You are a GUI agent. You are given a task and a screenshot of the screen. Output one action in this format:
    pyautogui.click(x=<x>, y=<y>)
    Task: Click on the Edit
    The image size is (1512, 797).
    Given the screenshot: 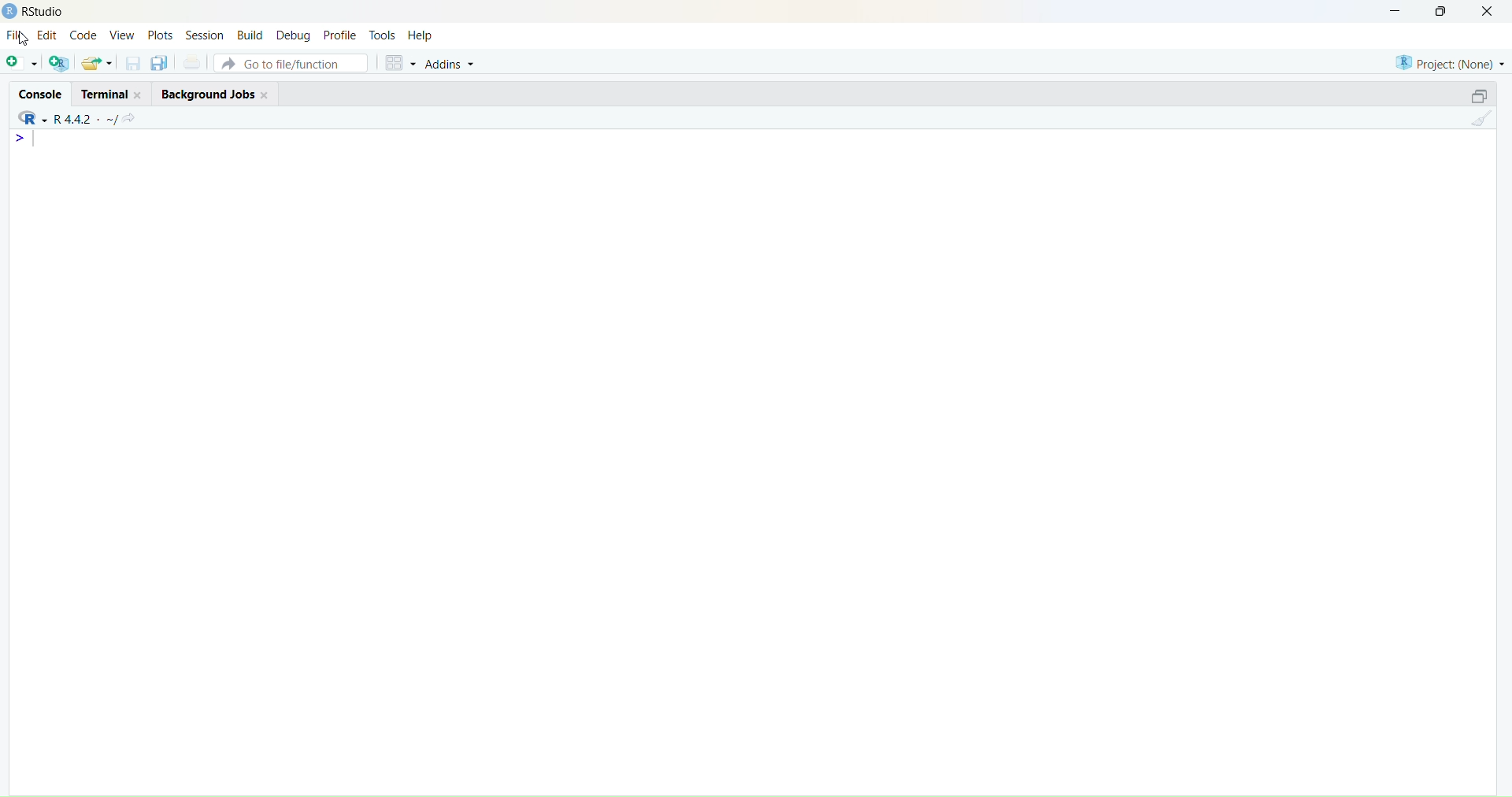 What is the action you would take?
    pyautogui.click(x=47, y=36)
    